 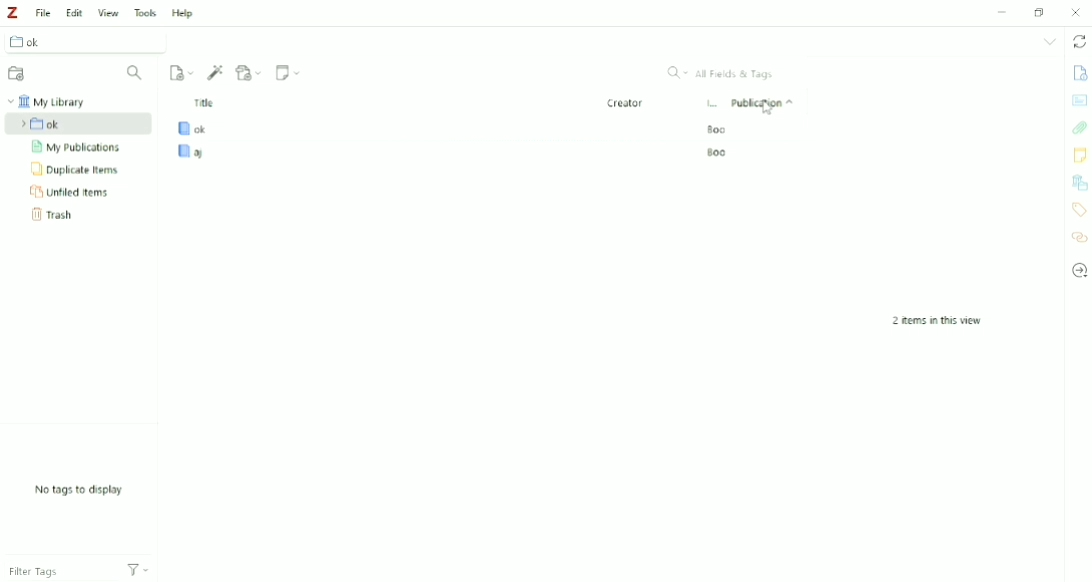 I want to click on Attachments, so click(x=1079, y=128).